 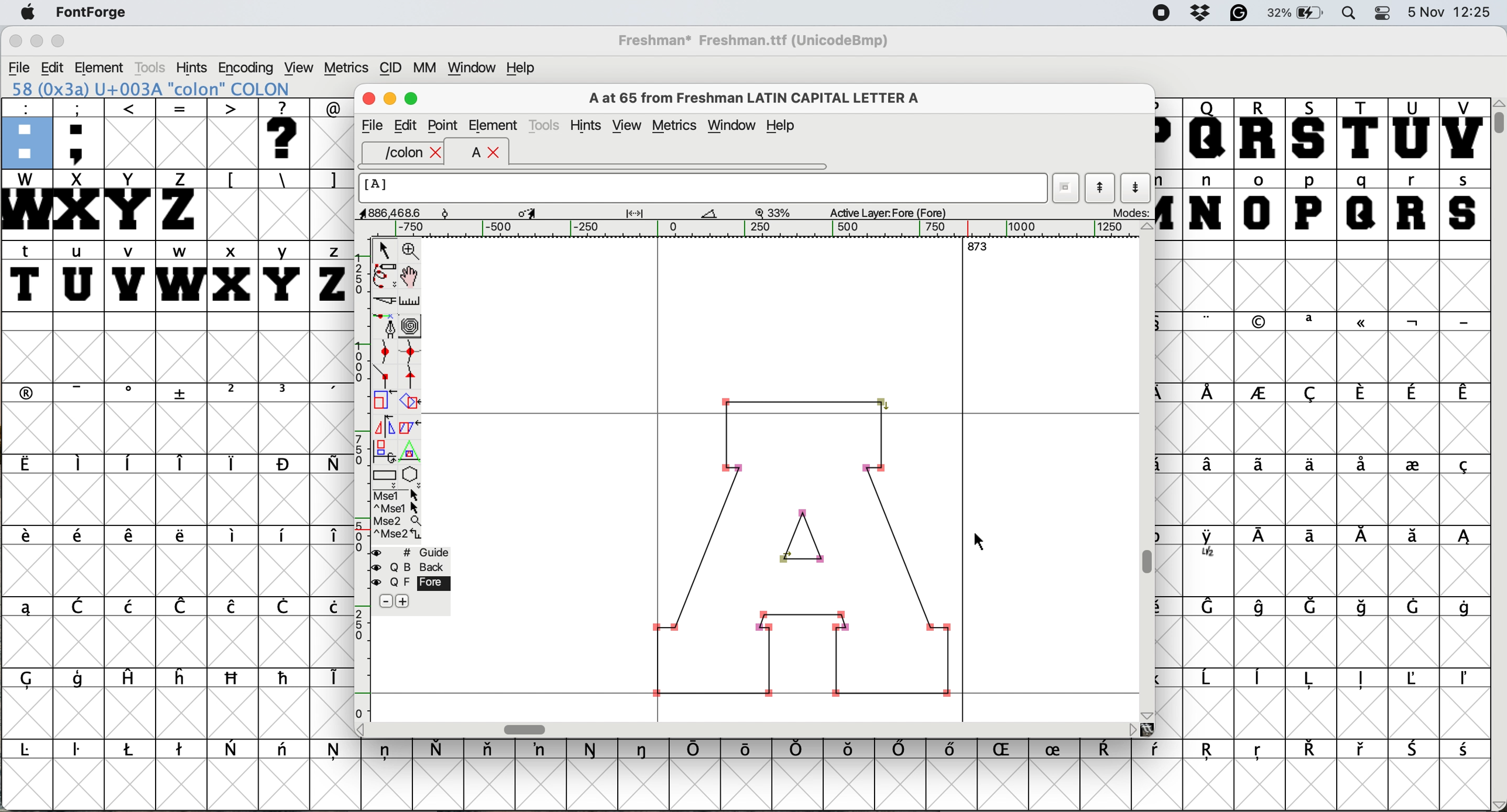 What do you see at coordinates (129, 679) in the screenshot?
I see `symbol` at bounding box center [129, 679].